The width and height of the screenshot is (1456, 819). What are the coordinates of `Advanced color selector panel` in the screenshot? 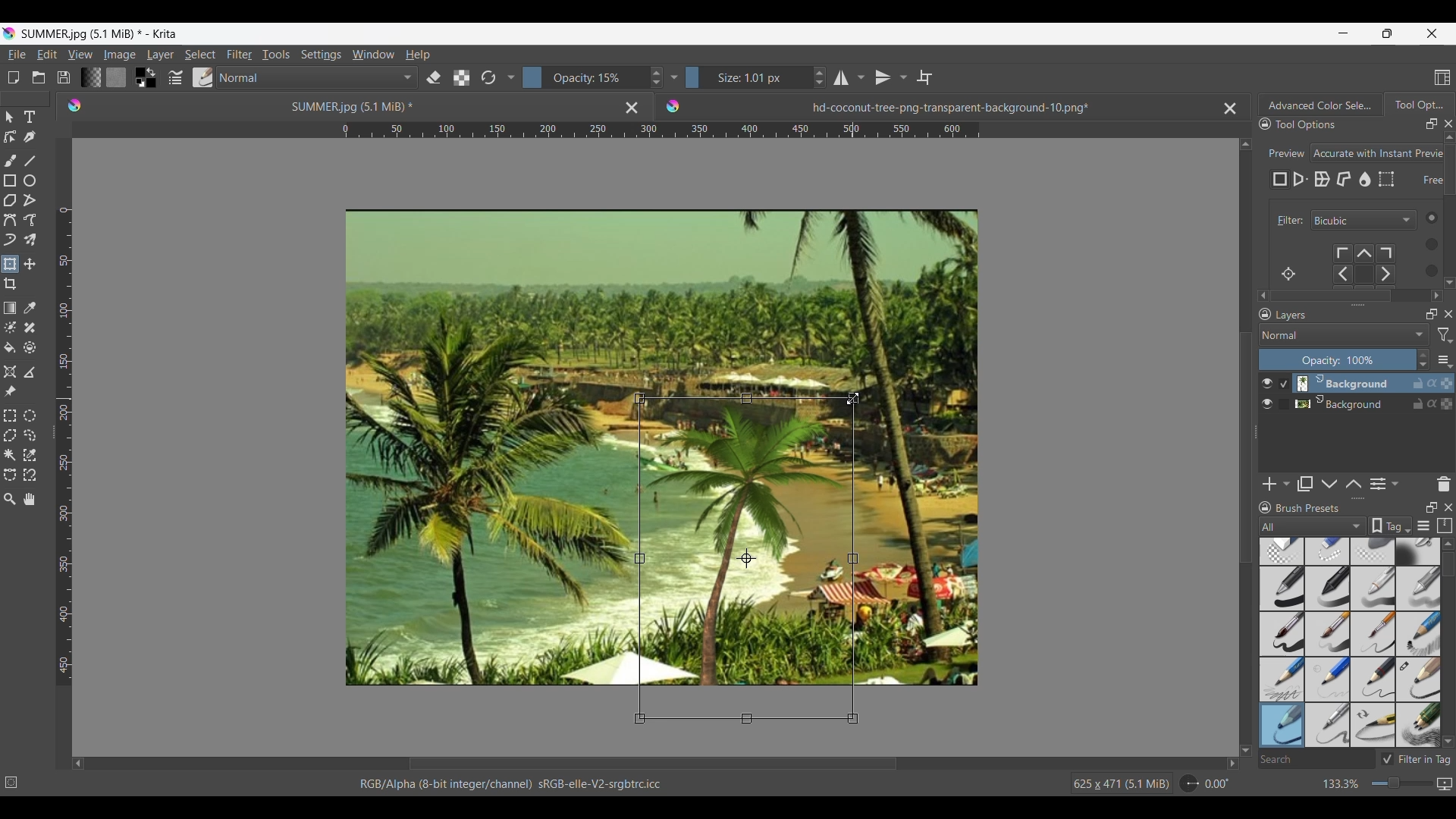 It's located at (1320, 105).